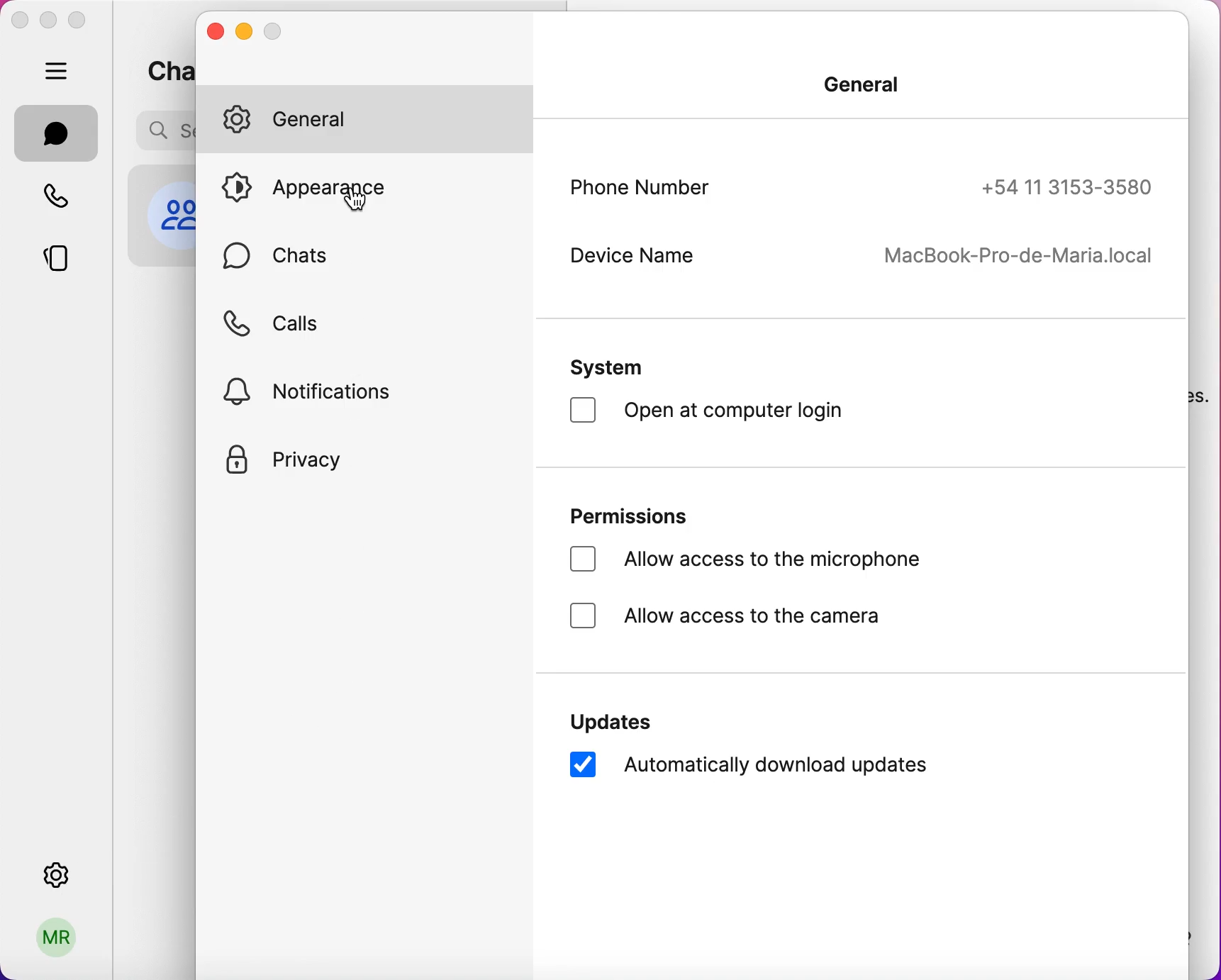 The image size is (1221, 980). What do you see at coordinates (641, 517) in the screenshot?
I see `permissions` at bounding box center [641, 517].